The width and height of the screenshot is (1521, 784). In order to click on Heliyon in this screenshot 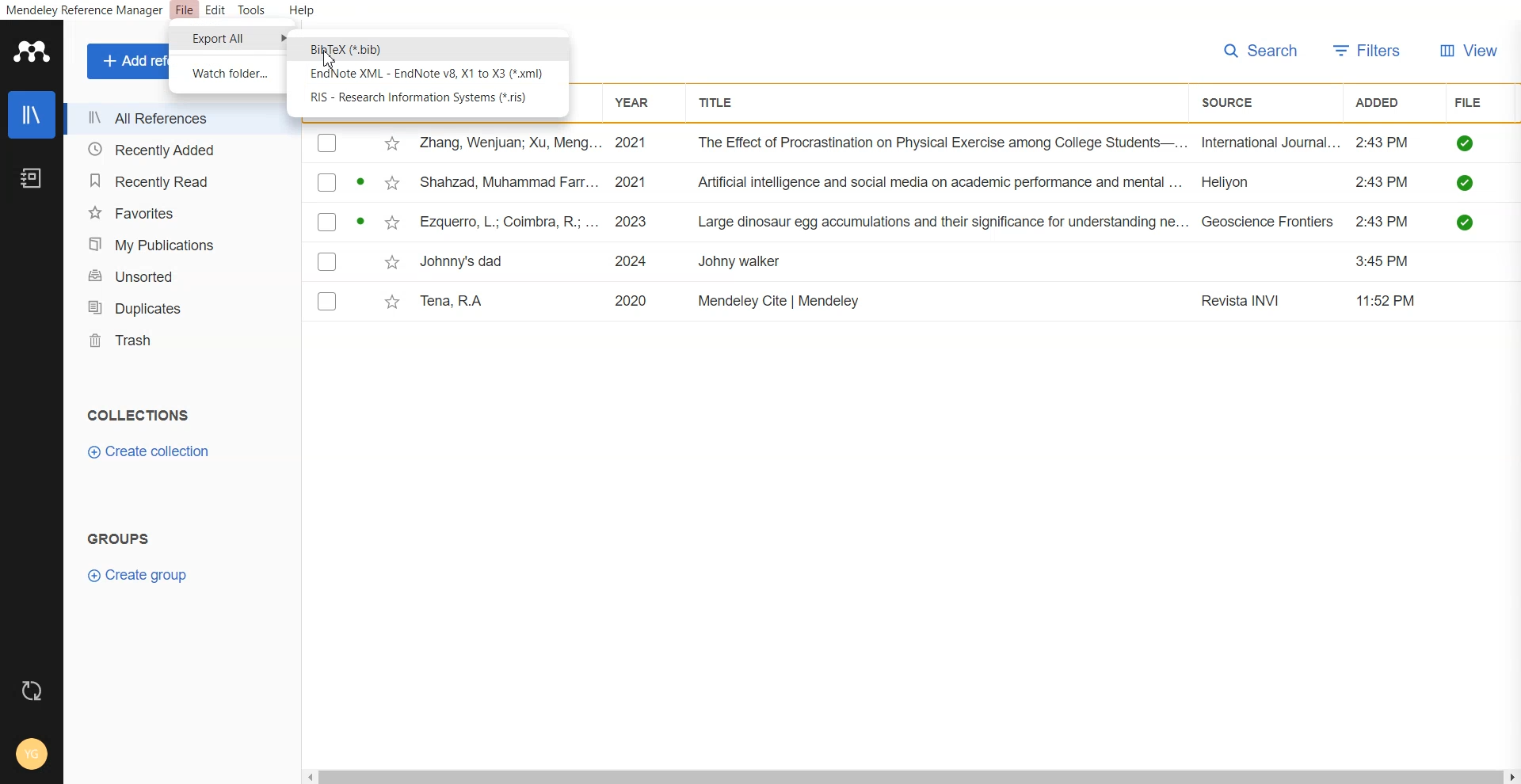, I will do `click(1236, 181)`.